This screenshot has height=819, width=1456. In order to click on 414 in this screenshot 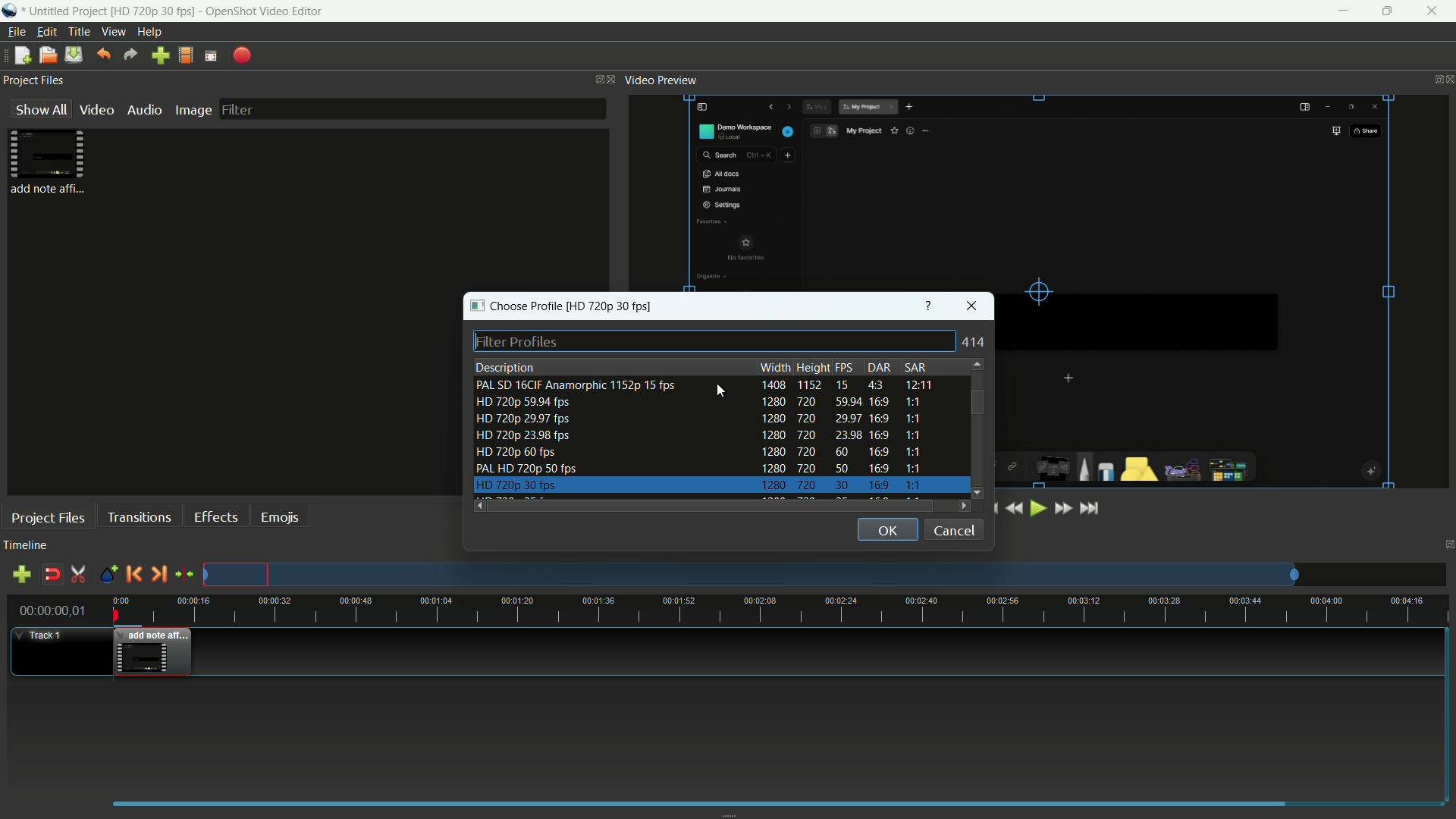, I will do `click(974, 342)`.